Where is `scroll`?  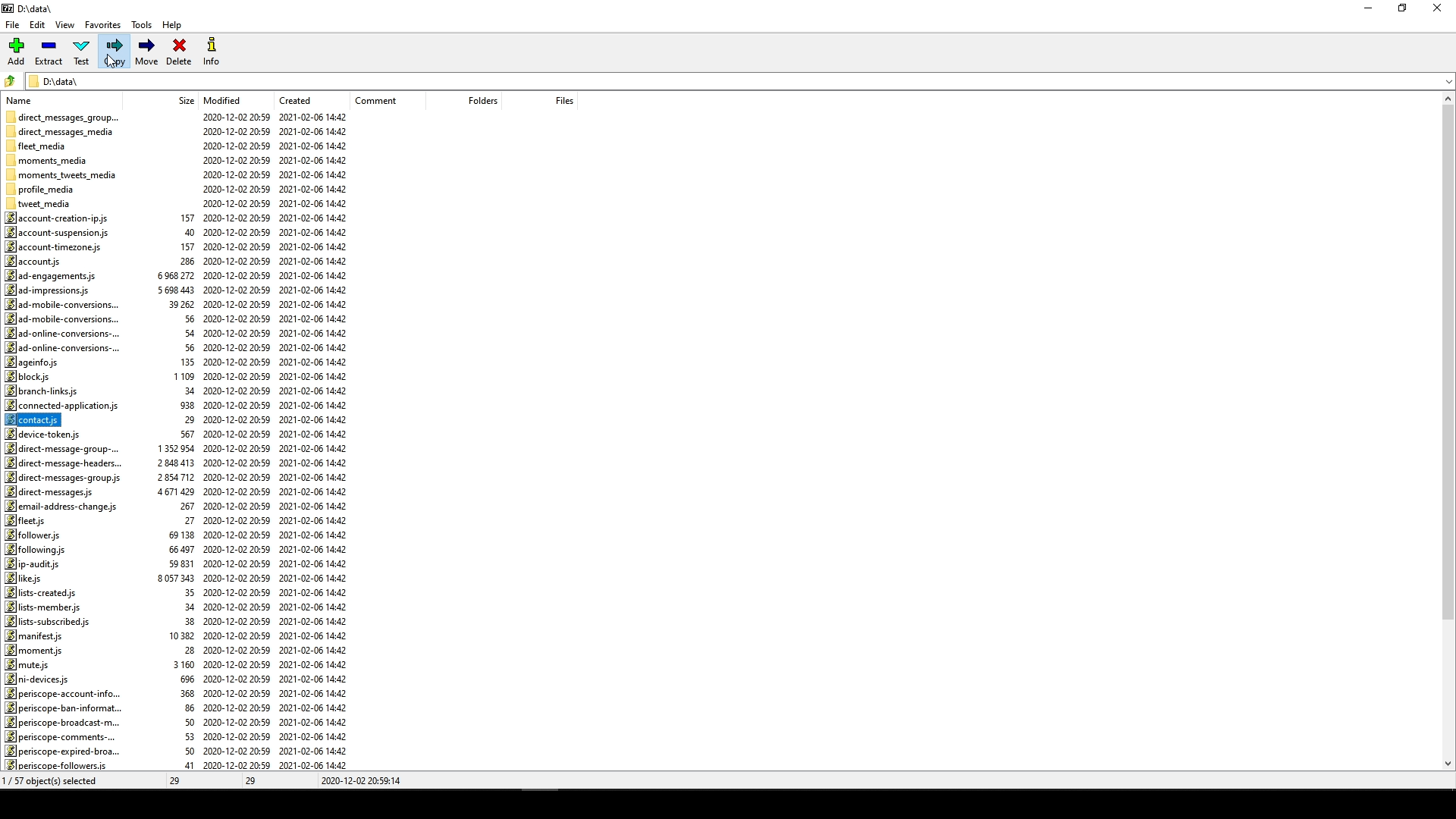
scroll is located at coordinates (1443, 434).